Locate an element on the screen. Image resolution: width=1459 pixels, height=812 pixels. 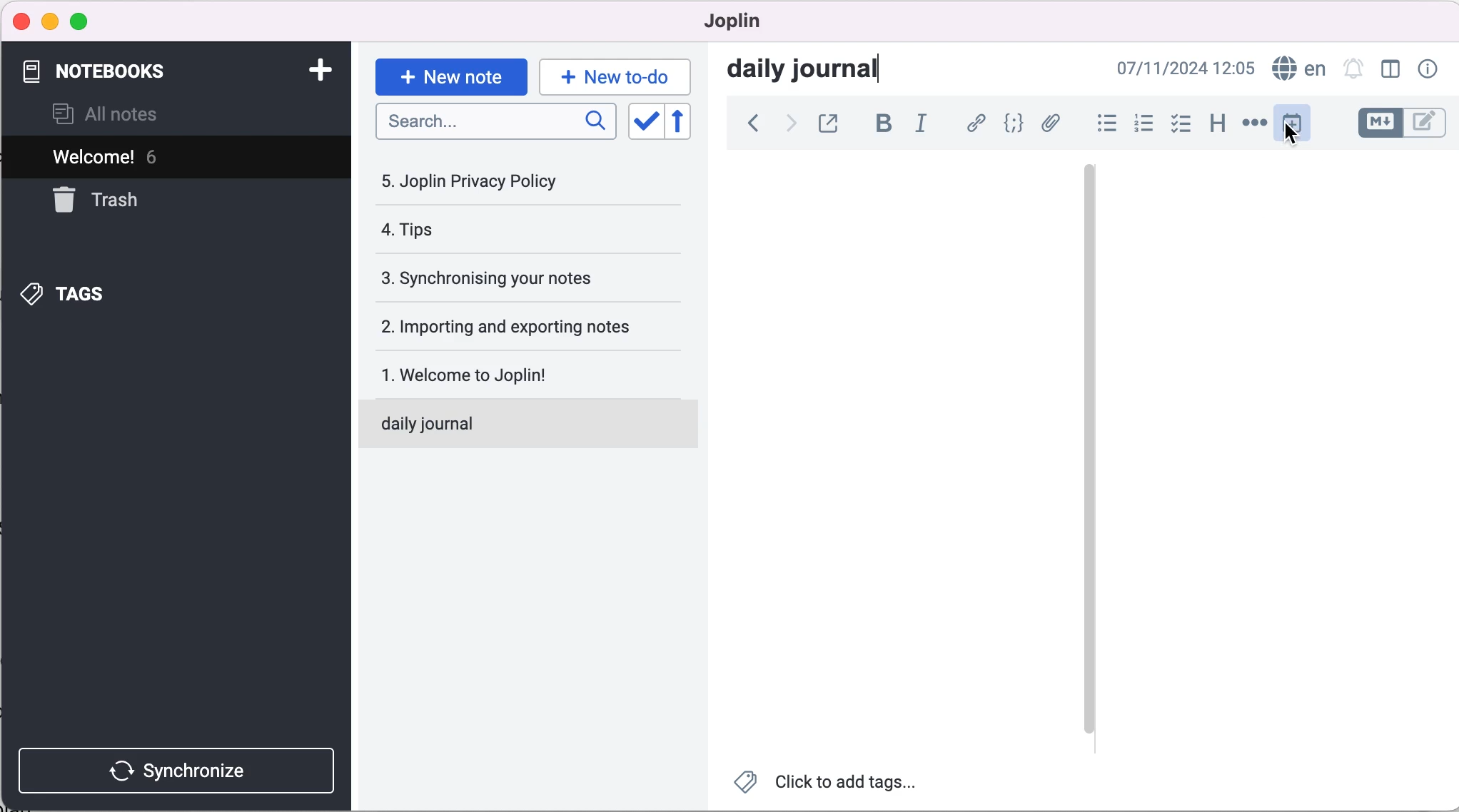
toggle editor layout is located at coordinates (1390, 69).